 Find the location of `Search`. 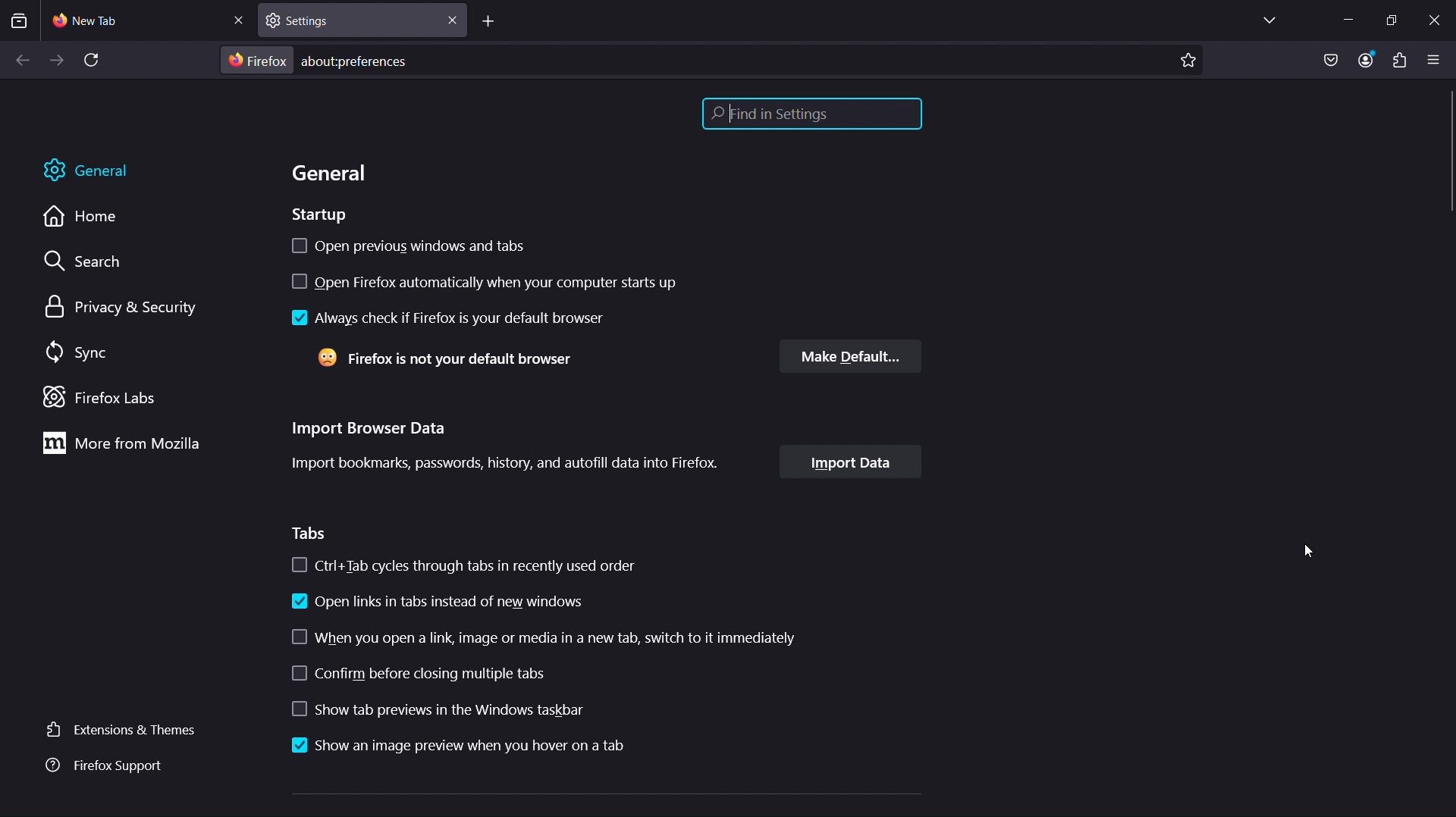

Search is located at coordinates (85, 260).